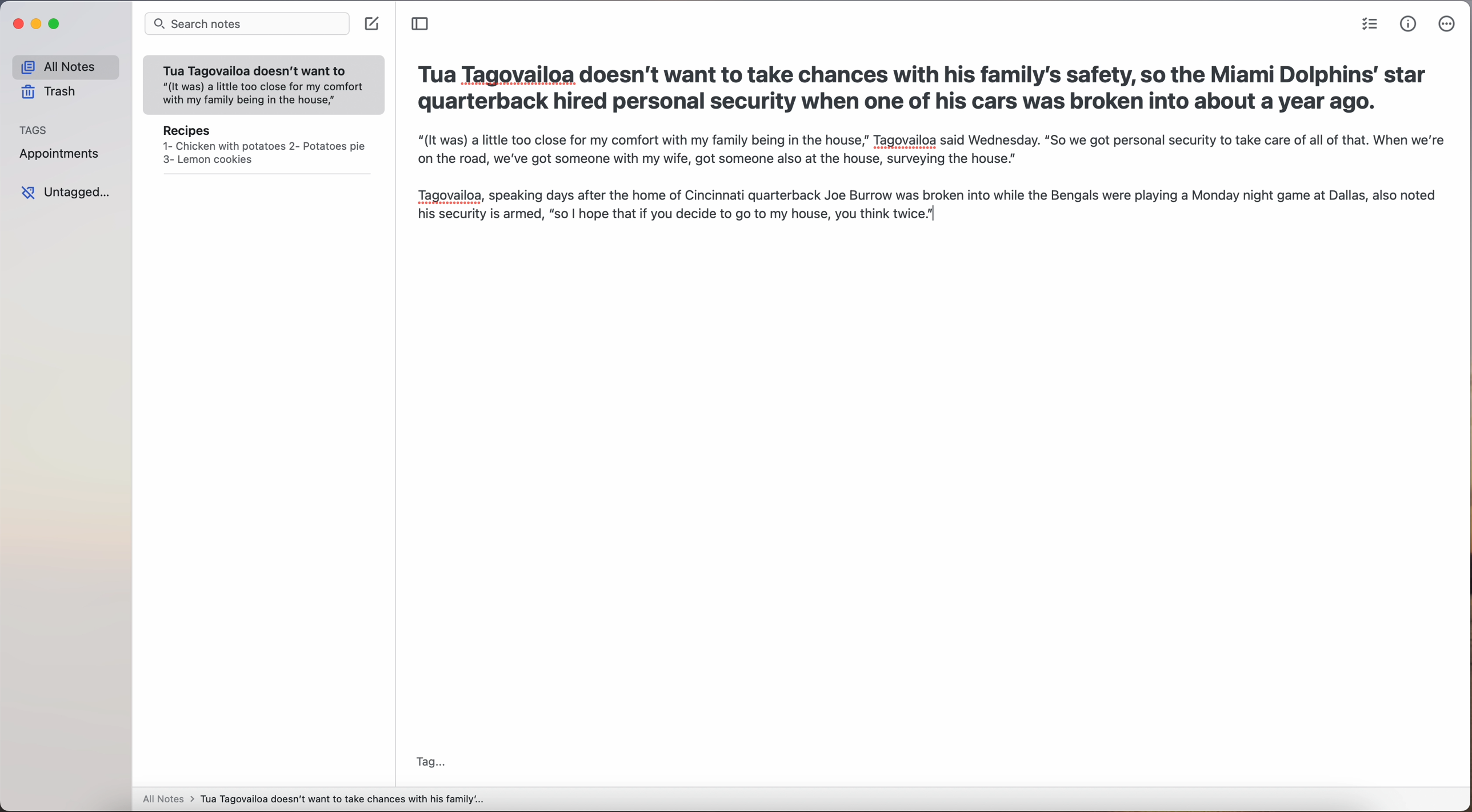 This screenshot has height=812, width=1472. Describe the element at coordinates (925, 88) in the screenshot. I see `Tua Tagovailoa doesn’t want to take chances with his family's safety, so the Miami Dolphins’ star
quarterback hired personal security when one of his cars was broken into about a year ago.` at that location.